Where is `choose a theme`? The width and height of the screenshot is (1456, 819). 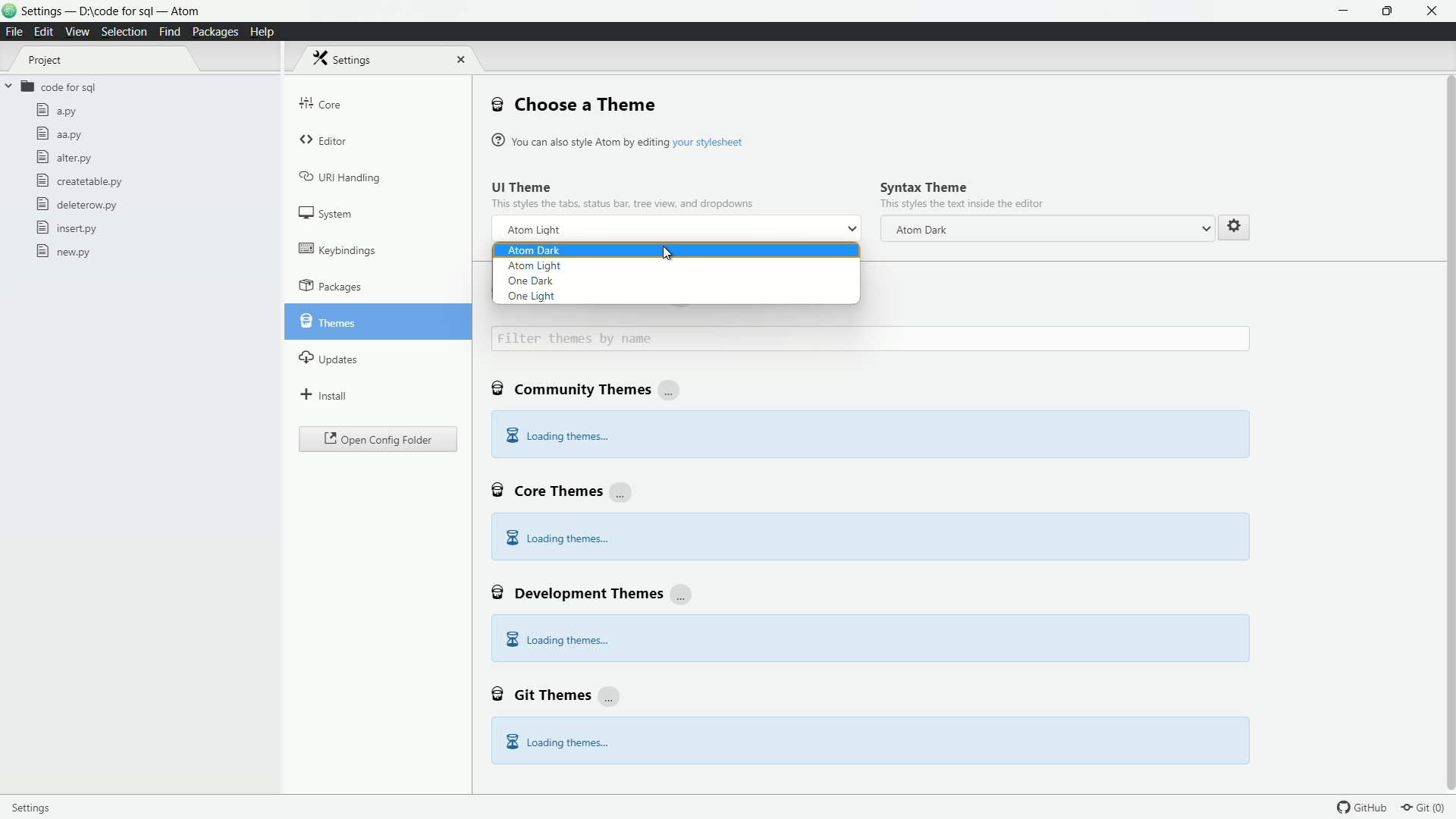 choose a theme is located at coordinates (574, 104).